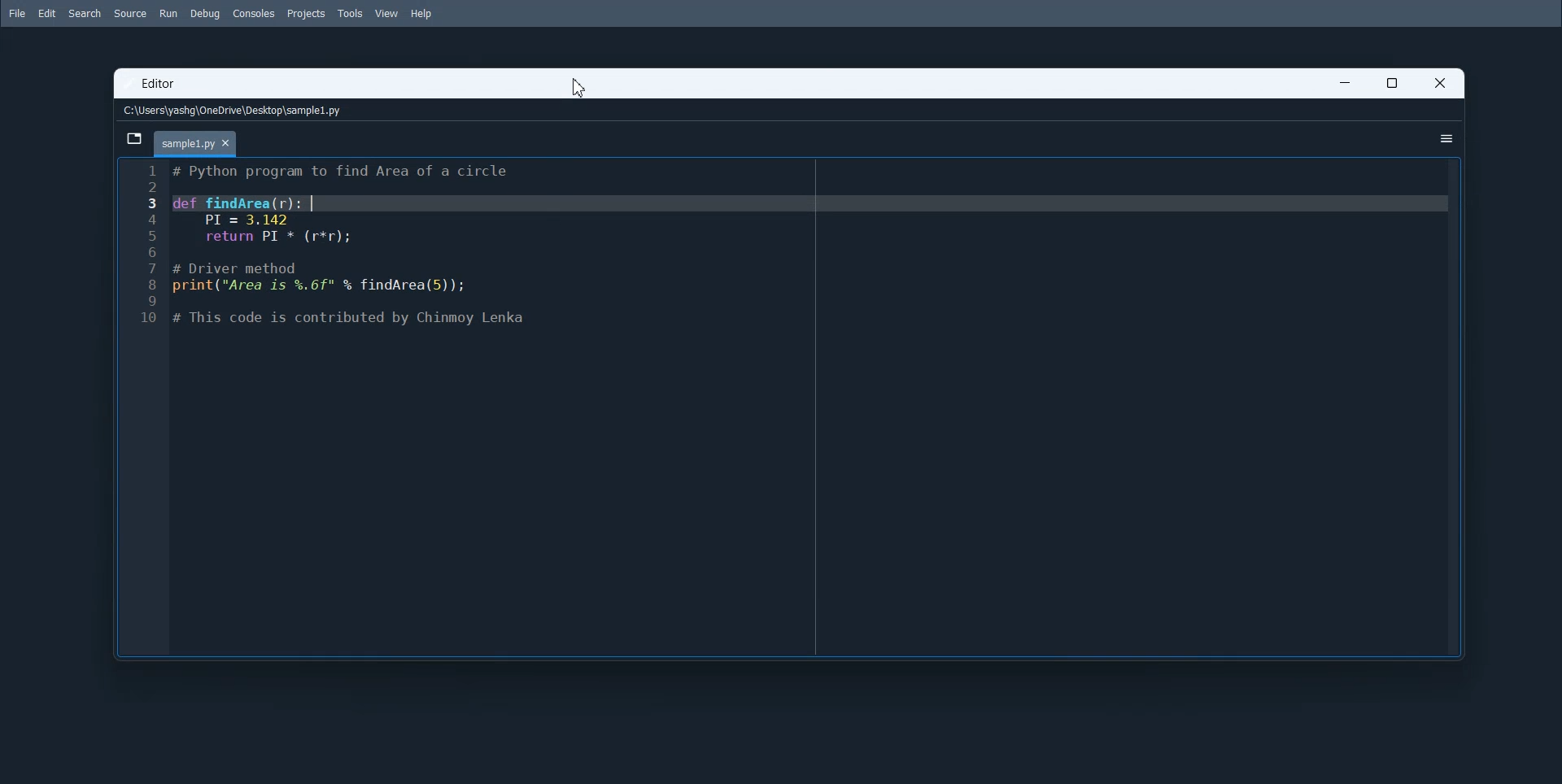  Describe the element at coordinates (581, 88) in the screenshot. I see `Cursor` at that location.